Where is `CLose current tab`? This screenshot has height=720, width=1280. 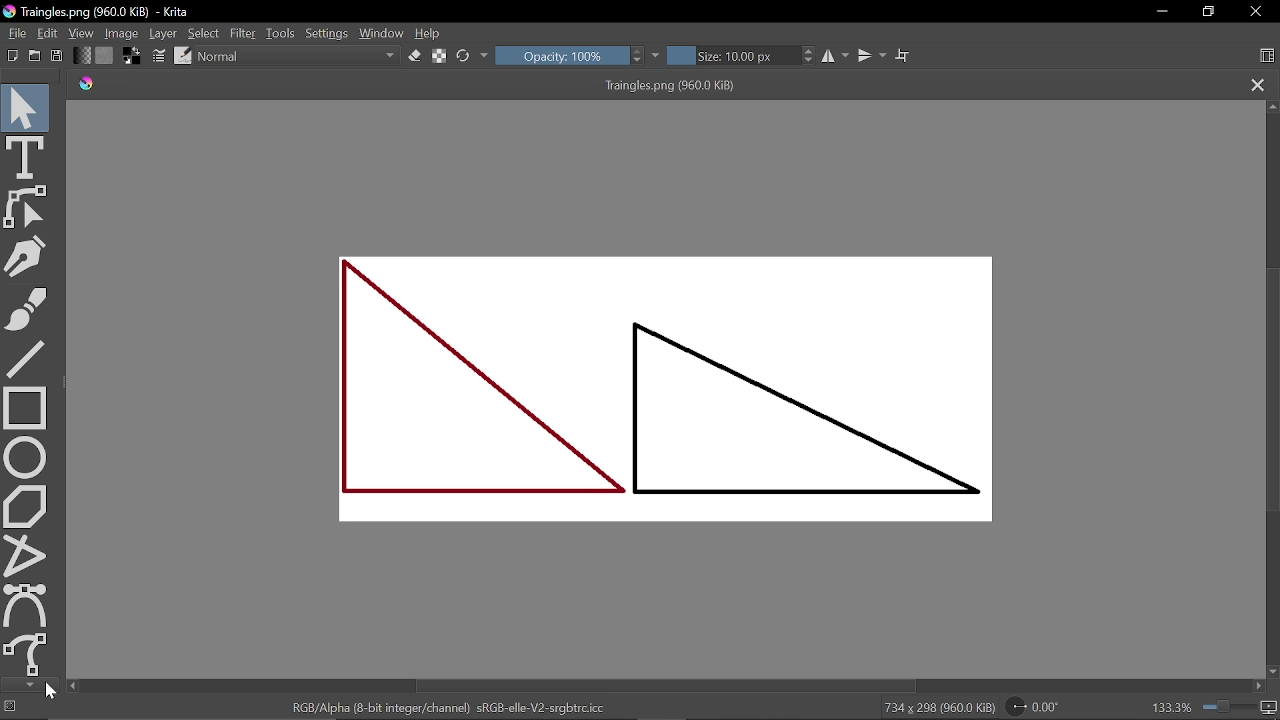 CLose current tab is located at coordinates (1258, 86).